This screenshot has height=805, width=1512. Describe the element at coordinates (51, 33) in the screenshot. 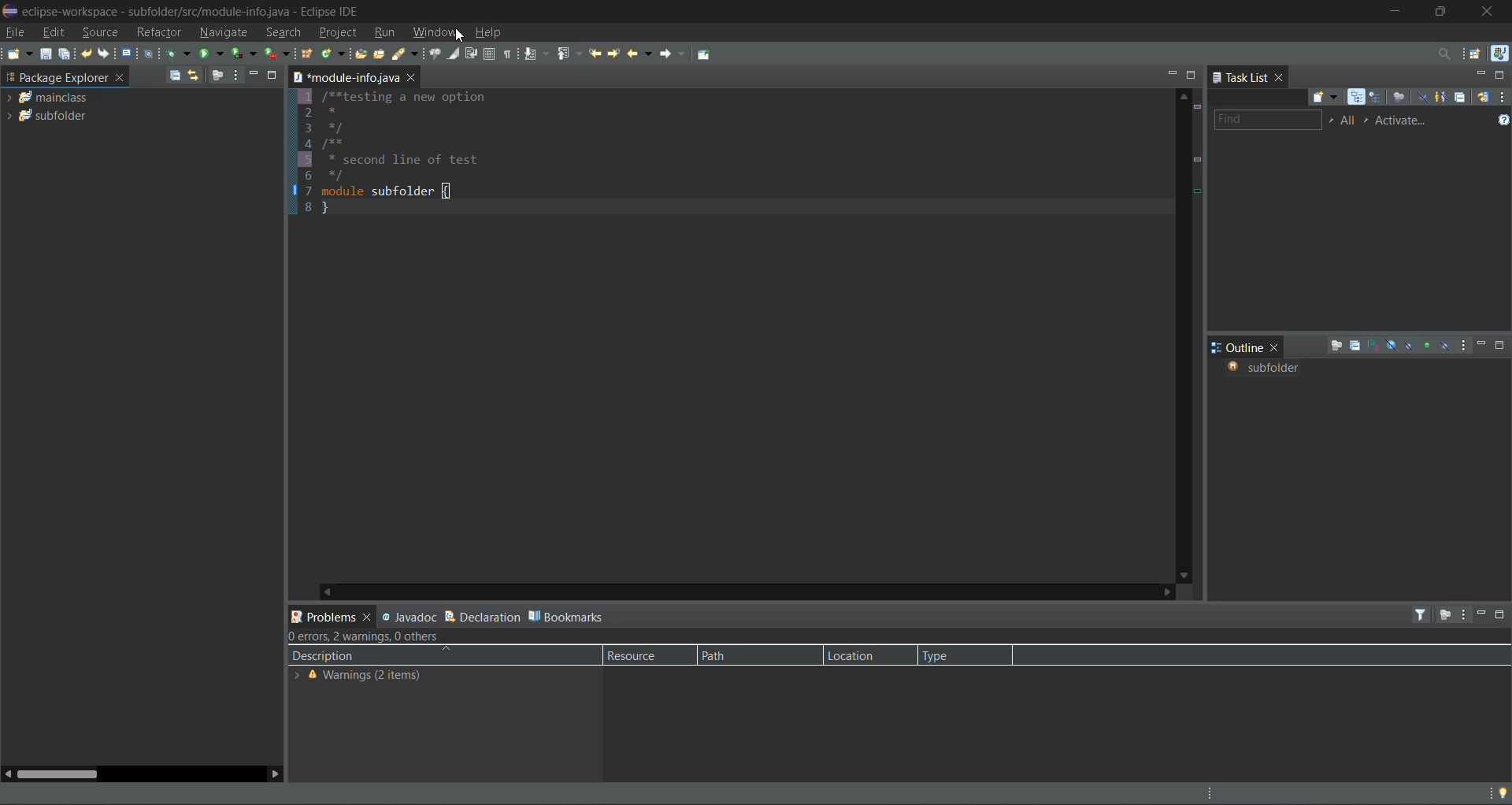

I see `edit` at that location.